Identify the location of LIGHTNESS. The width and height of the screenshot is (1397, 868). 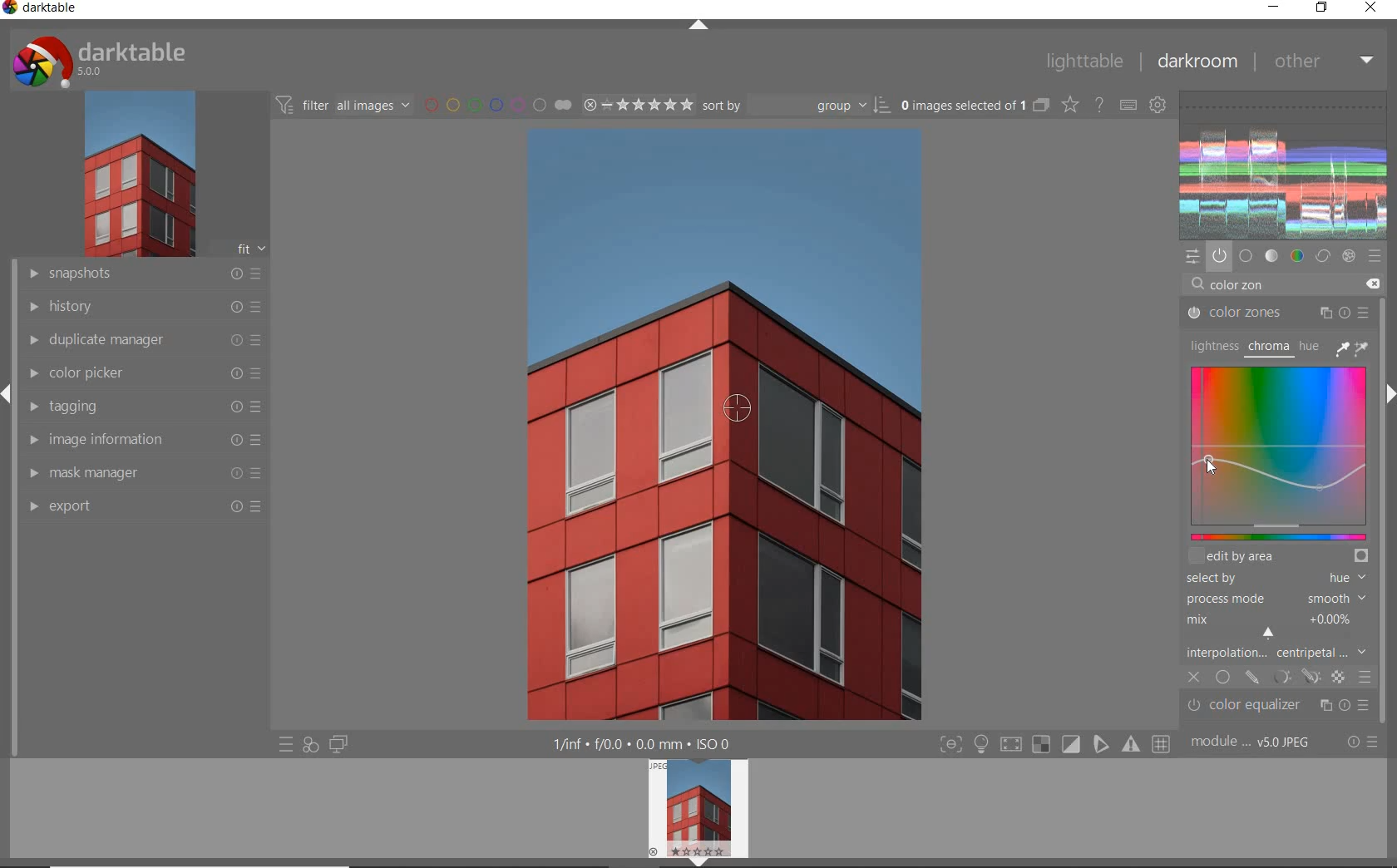
(1212, 345).